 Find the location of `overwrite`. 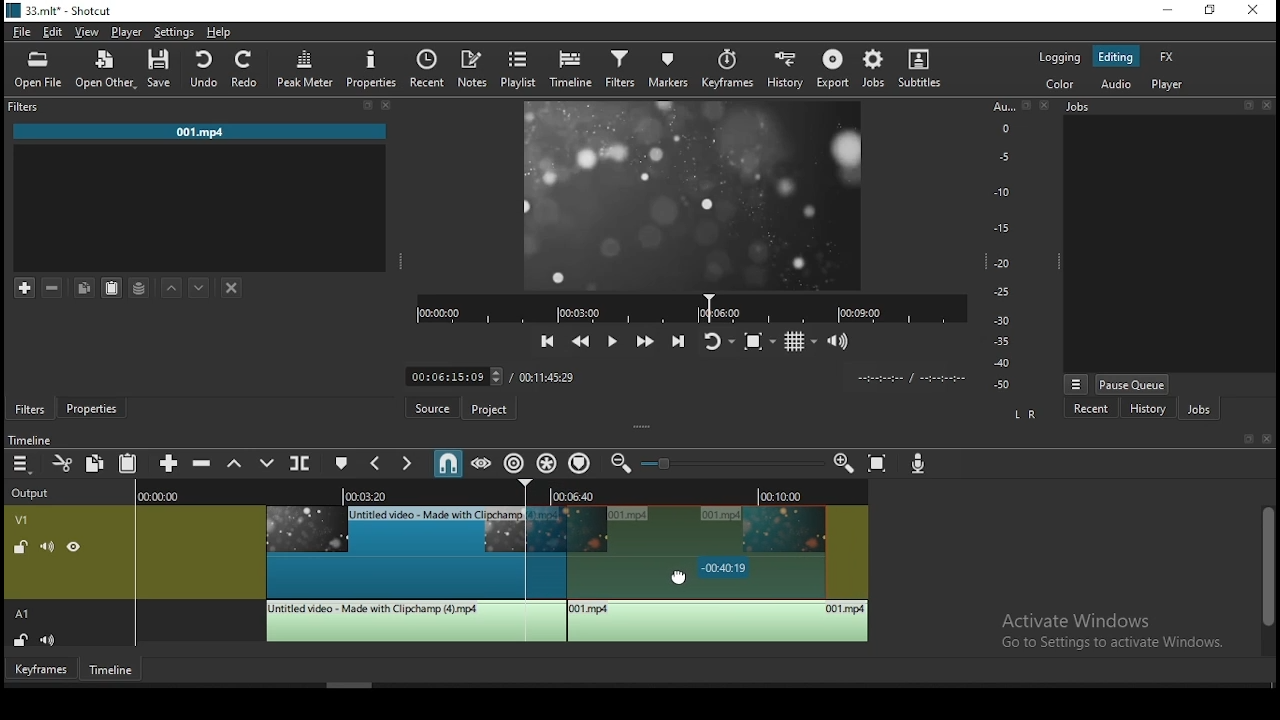

overwrite is located at coordinates (268, 464).